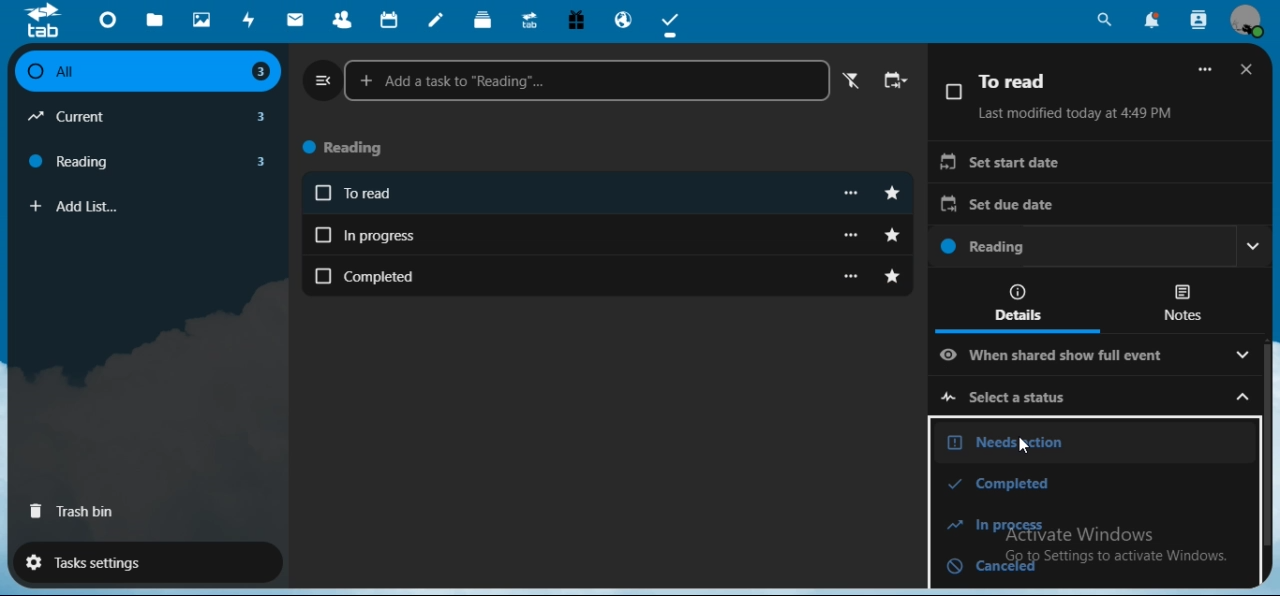  I want to click on view profile, so click(1250, 24).